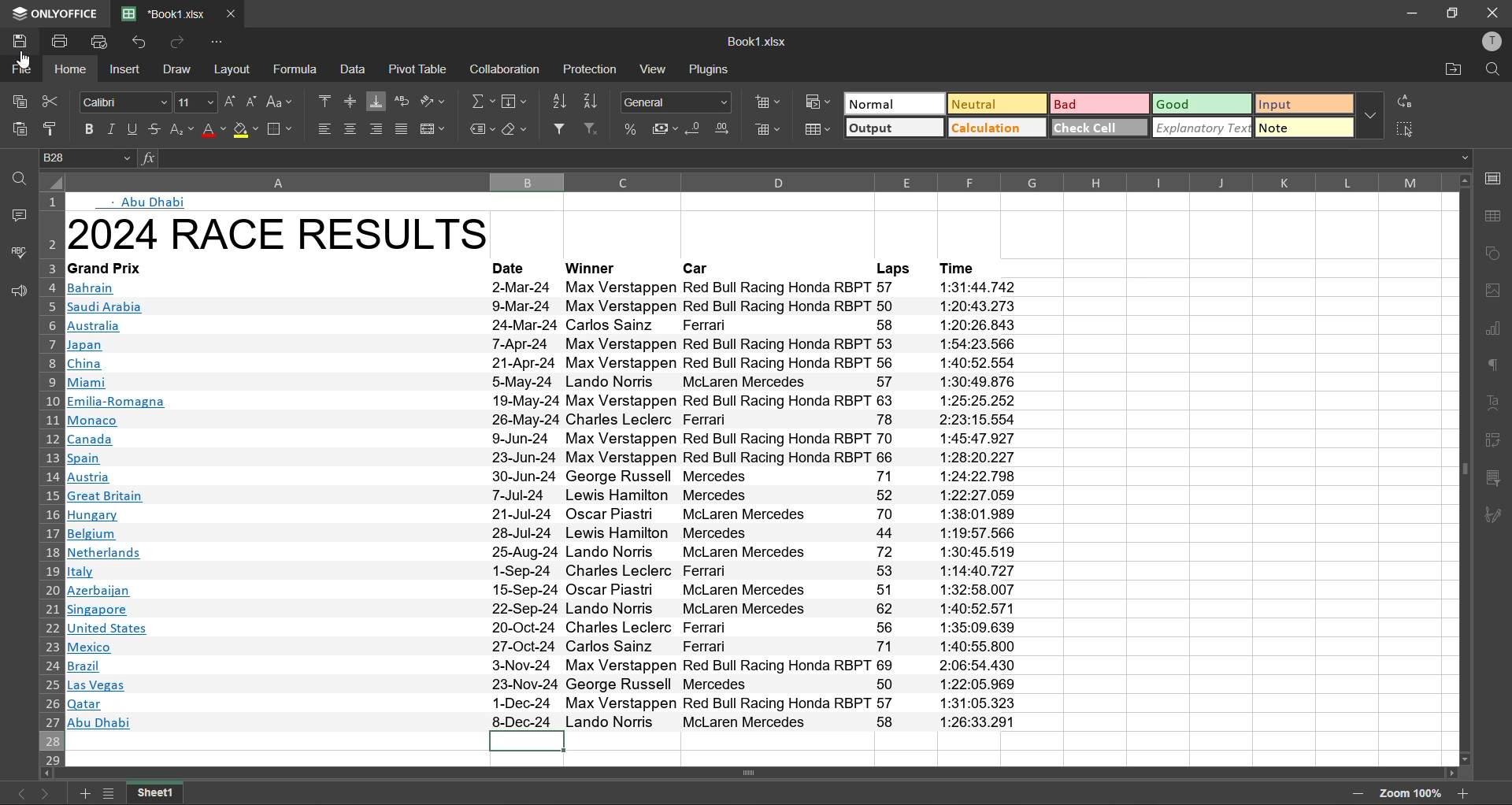 Image resolution: width=1512 pixels, height=805 pixels. I want to click on Mexico 27-Oct-24 Carlos Sainz Ferrari 71 1:40:55.800, so click(543, 649).